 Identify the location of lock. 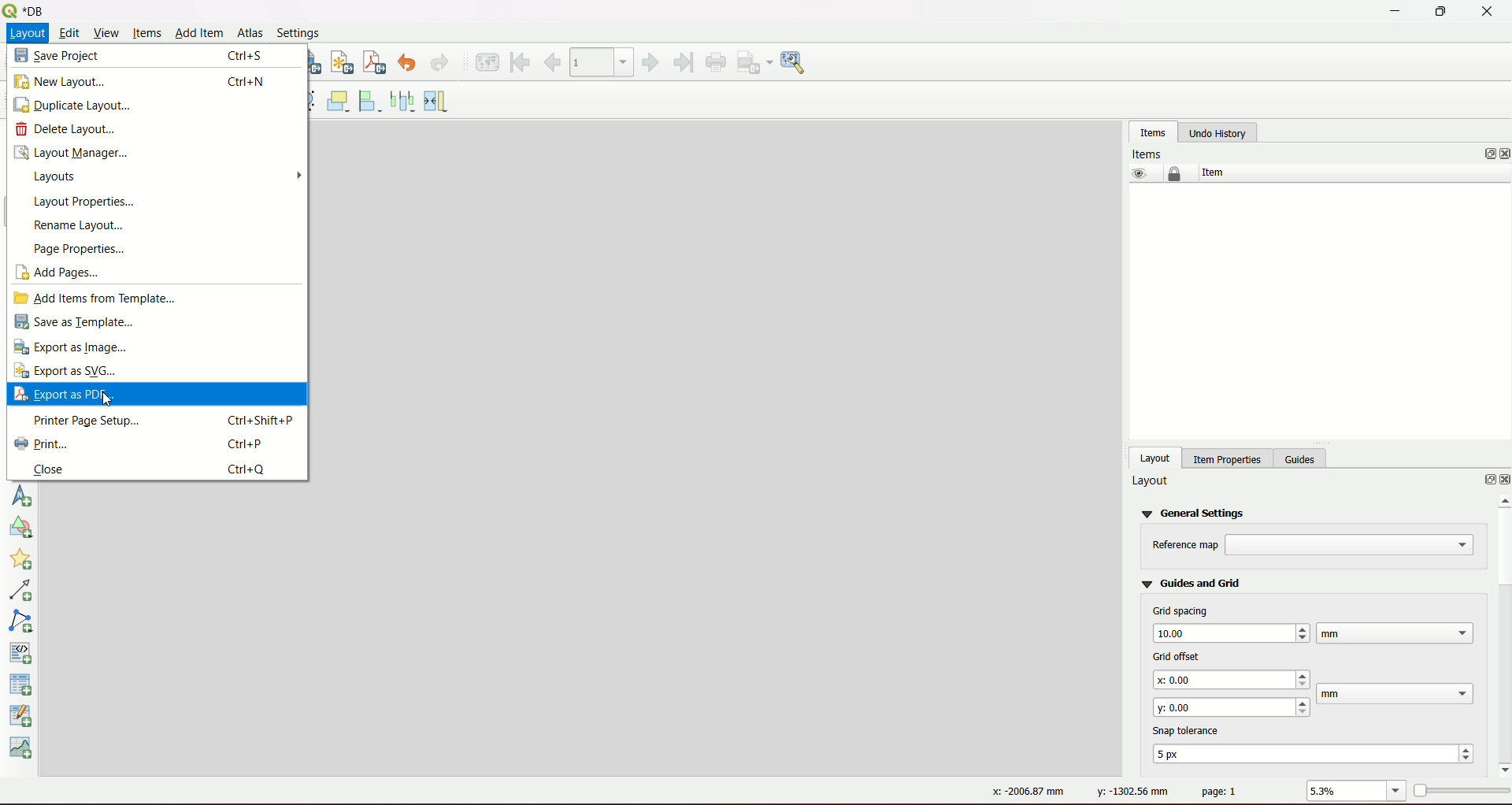
(1175, 174).